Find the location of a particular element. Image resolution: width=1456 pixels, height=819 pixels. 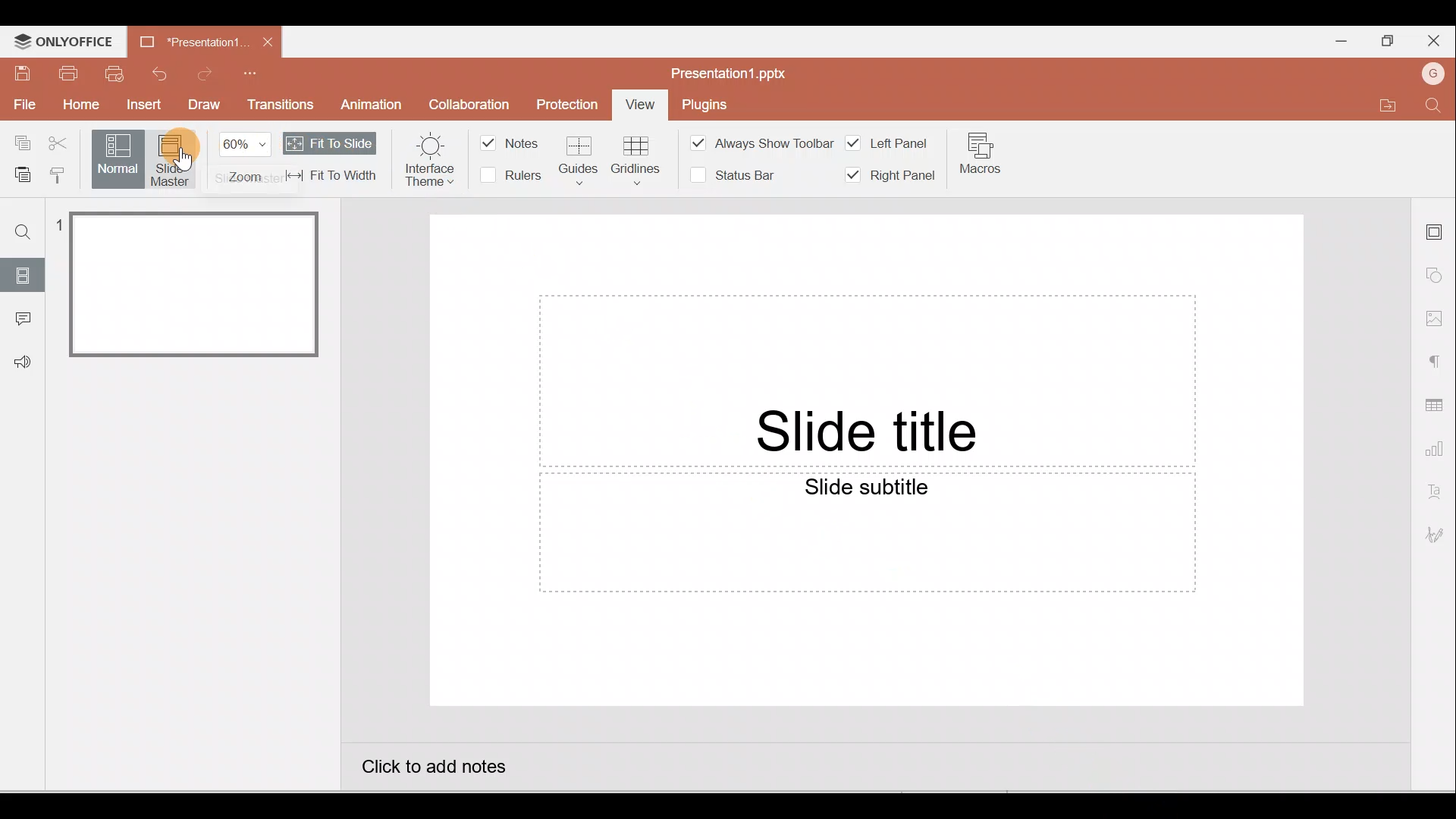

Zoom is located at coordinates (245, 160).